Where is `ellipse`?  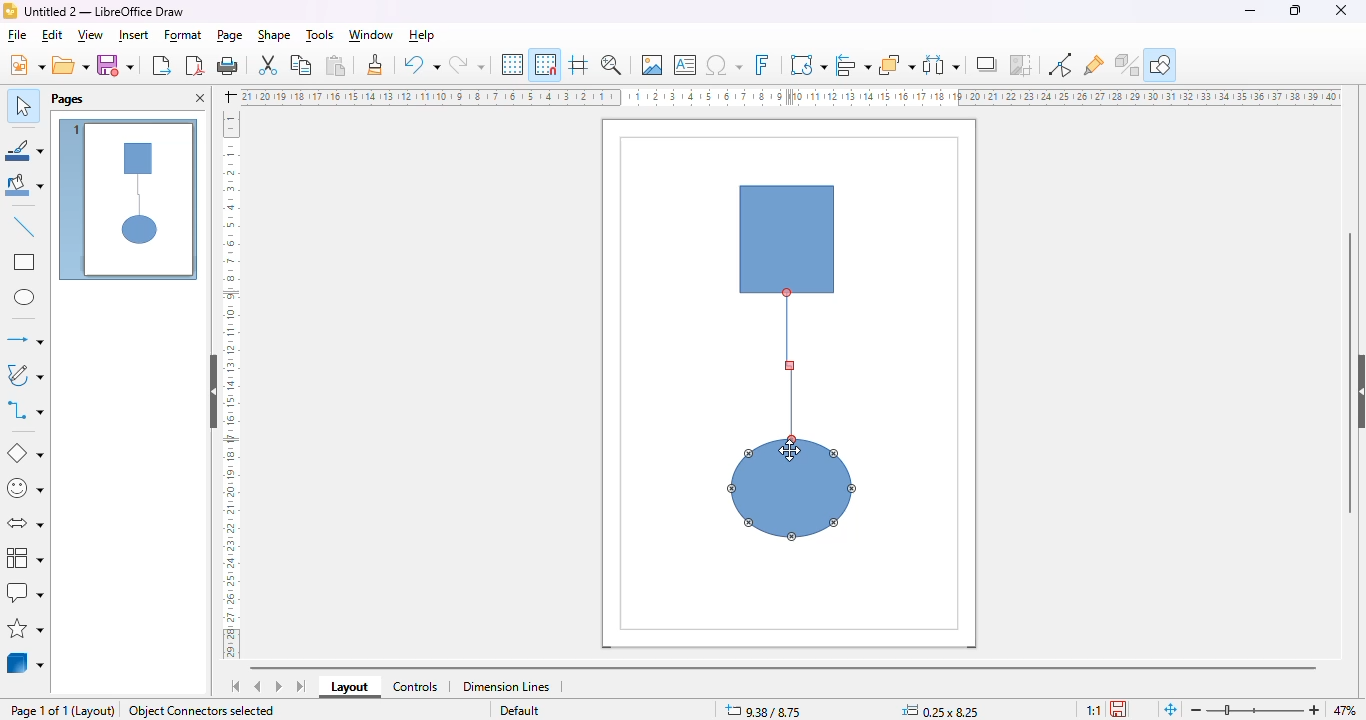 ellipse is located at coordinates (24, 297).